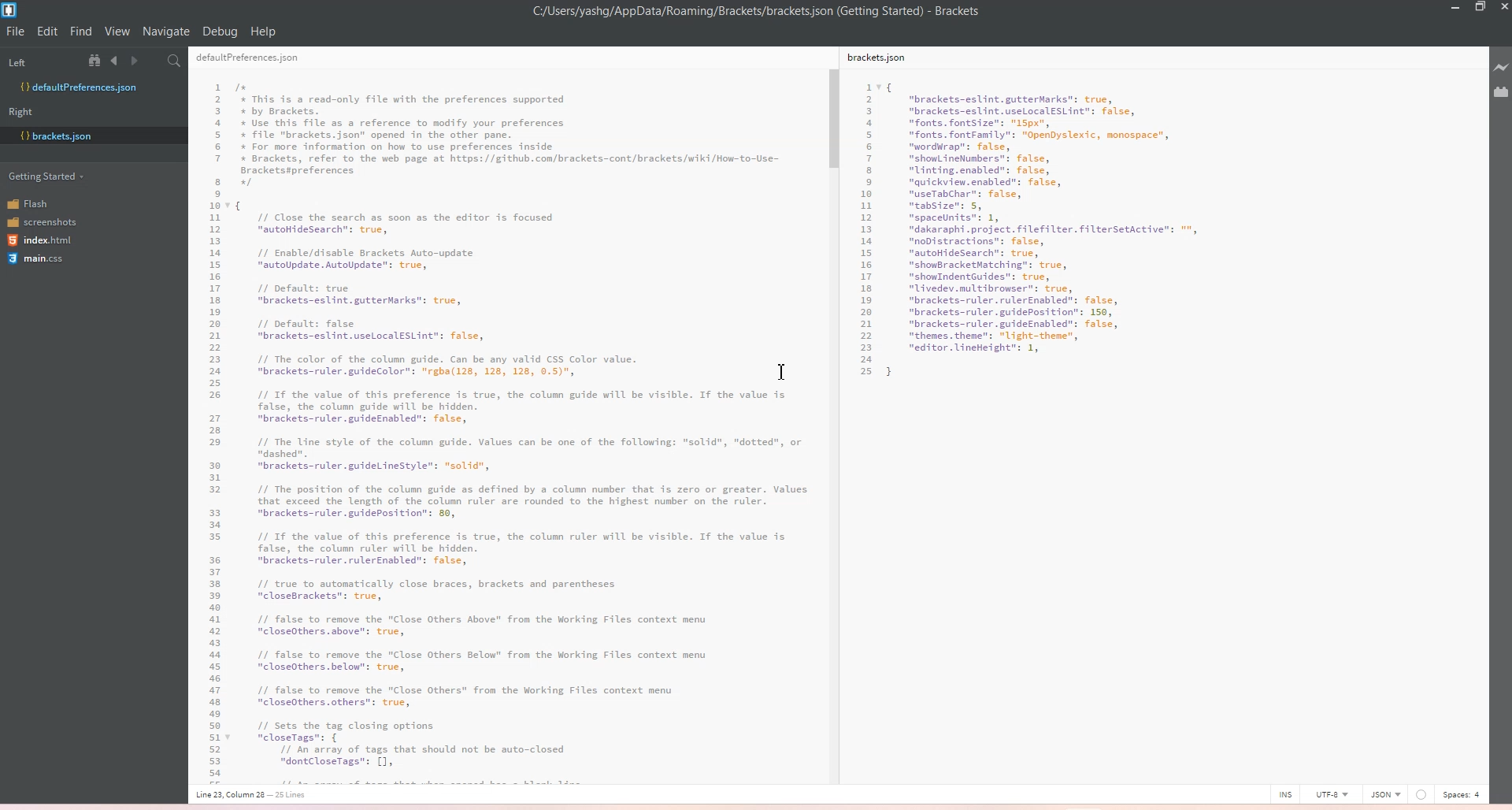 The height and width of the screenshot is (810, 1512). Describe the element at coordinates (1068, 259) in the screenshot. I see `brackets.json

vi
“brackets-eslint.gutterMarks”: true,
“brackets-eslint.uselocalESLint": false,
“fonts. fontSize": "15px",
“fonts. fontFamily”: "OpenDyslexic, monospace”,
“wordrap™: false,
“shouLineNumbers": false,
“linting.enabled": false,
“quickview.enabled”: false,
“useTabChar": false,
“tabSize": 5,
“spacelnits”: 1,
“dakaraphi.project. filefilter. filterSetActive™: ™*,
“noDistractions”: false,
“autoHideSearch”: true,
“showBracketMatching”: true,
“showIndentGuides”: true,
“livedev.multibrowser”: true,
“brackets-ruler.rulerEnabled”: false,
“brackets-ruler.guidePosition": 150,
“brackets-ruler.guideEnabled": false,
“themes. theme": "light-theme",
Sh 100]

}` at that location.